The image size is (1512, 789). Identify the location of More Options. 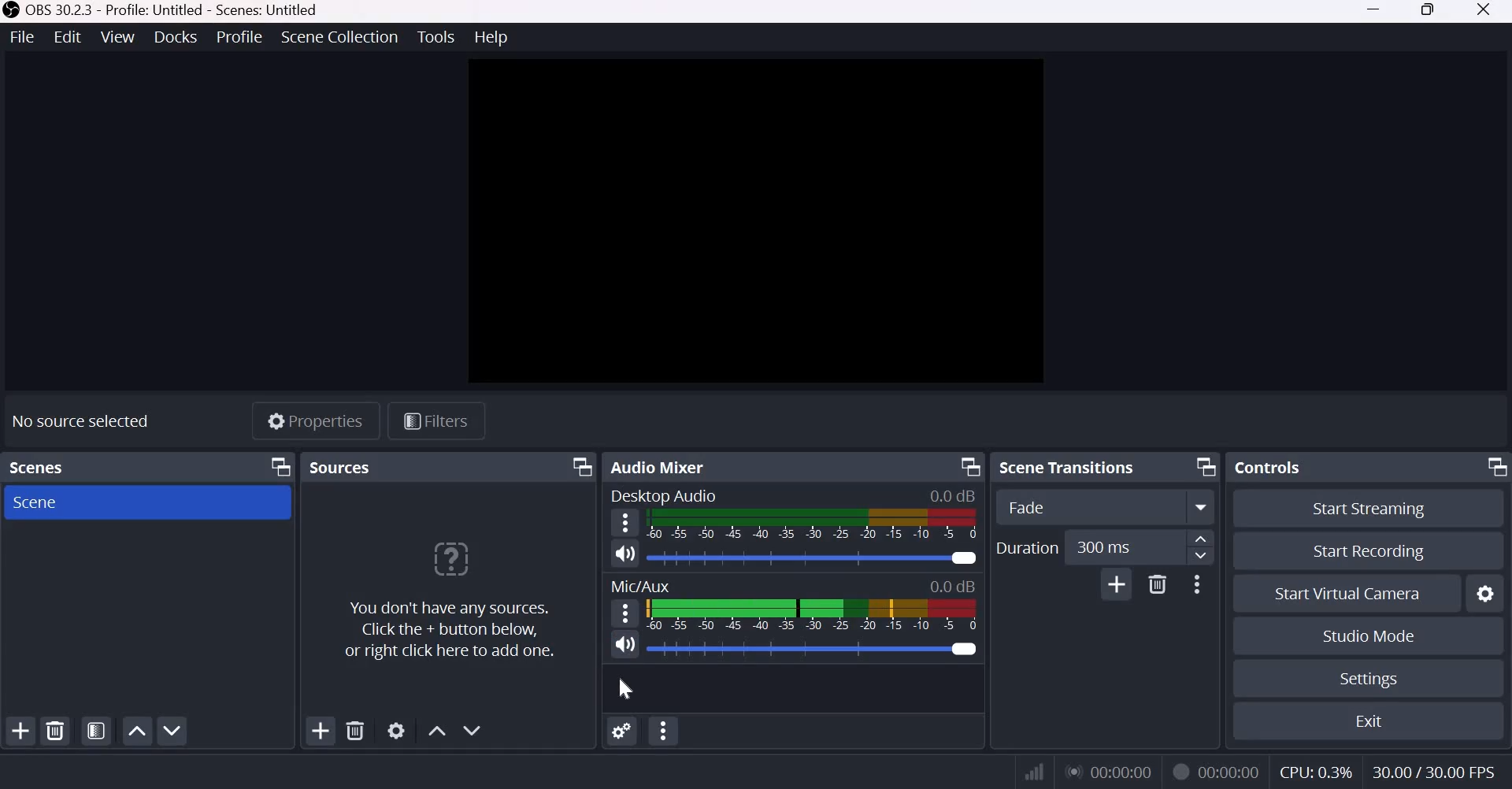
(1195, 583).